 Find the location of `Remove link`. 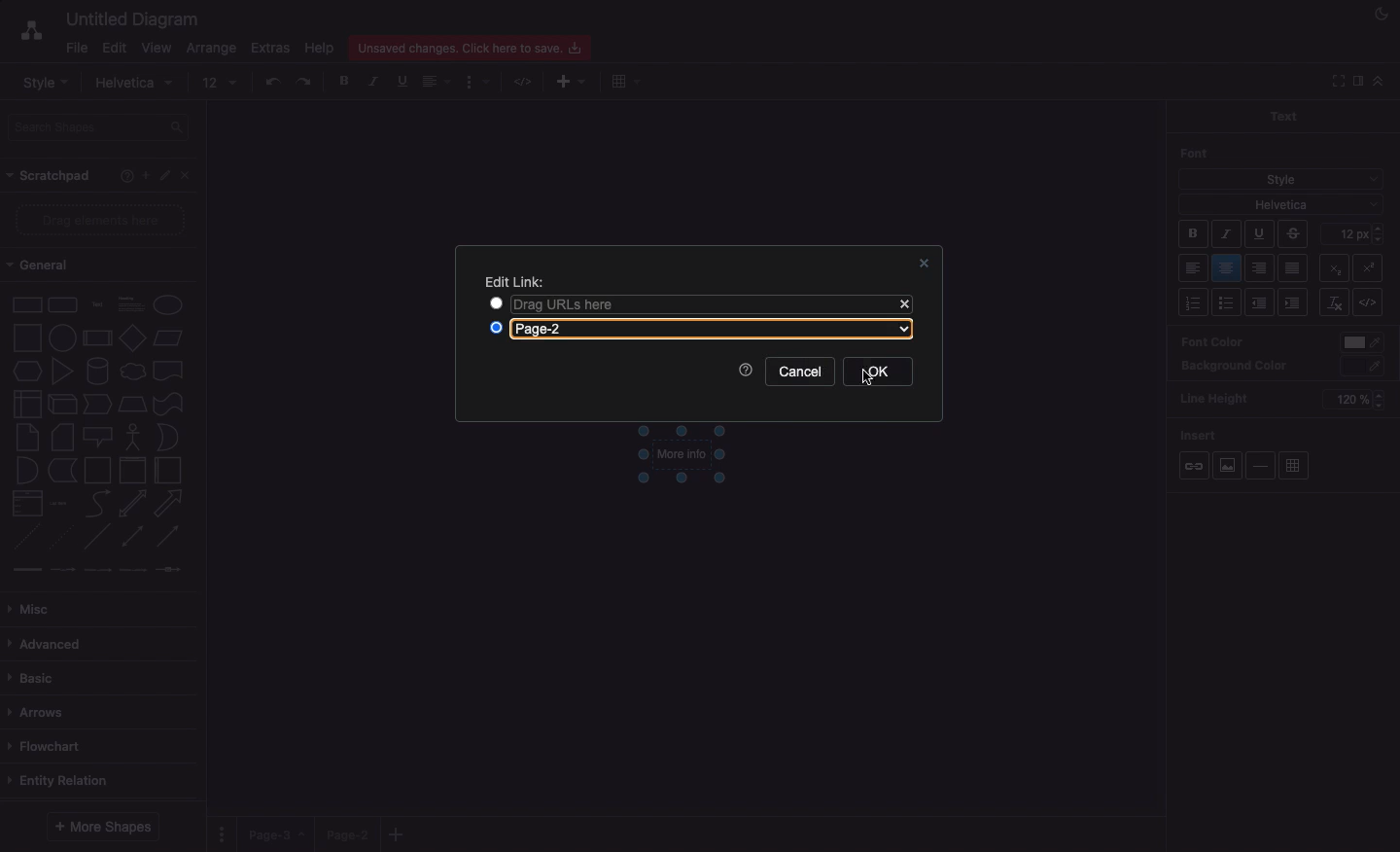

Remove link is located at coordinates (1334, 302).